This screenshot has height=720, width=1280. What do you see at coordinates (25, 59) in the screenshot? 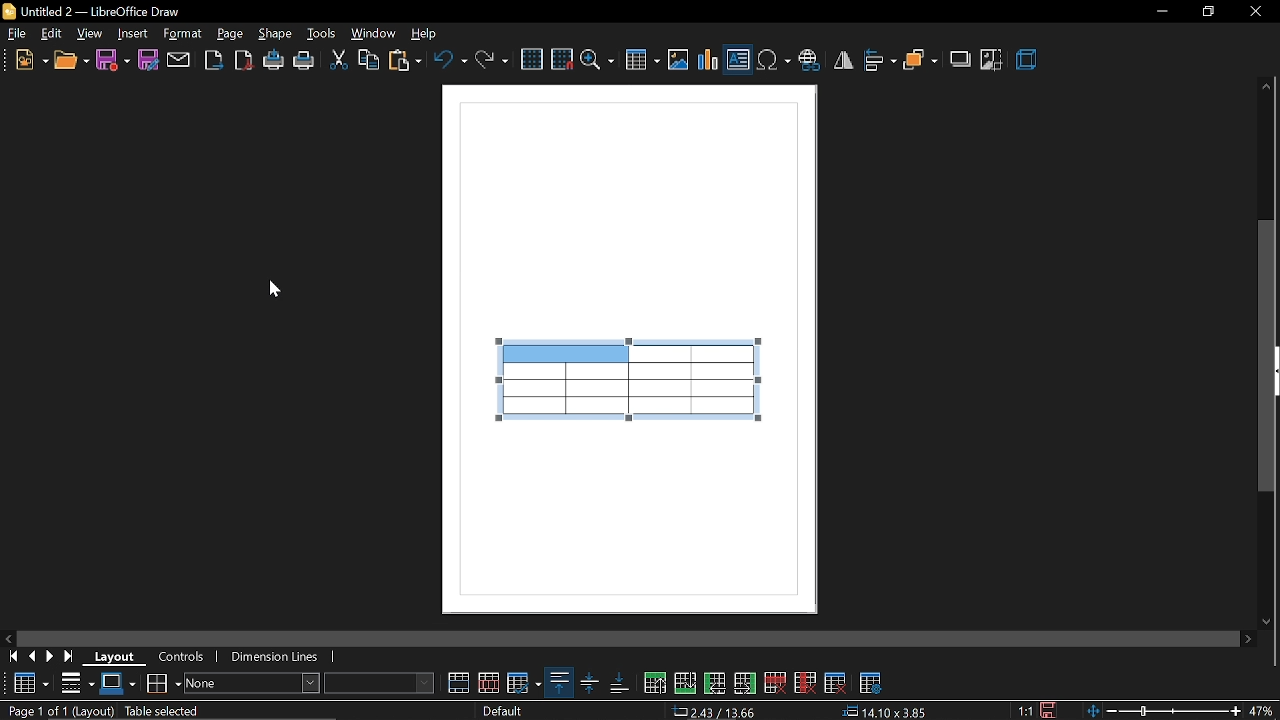
I see `new` at bounding box center [25, 59].